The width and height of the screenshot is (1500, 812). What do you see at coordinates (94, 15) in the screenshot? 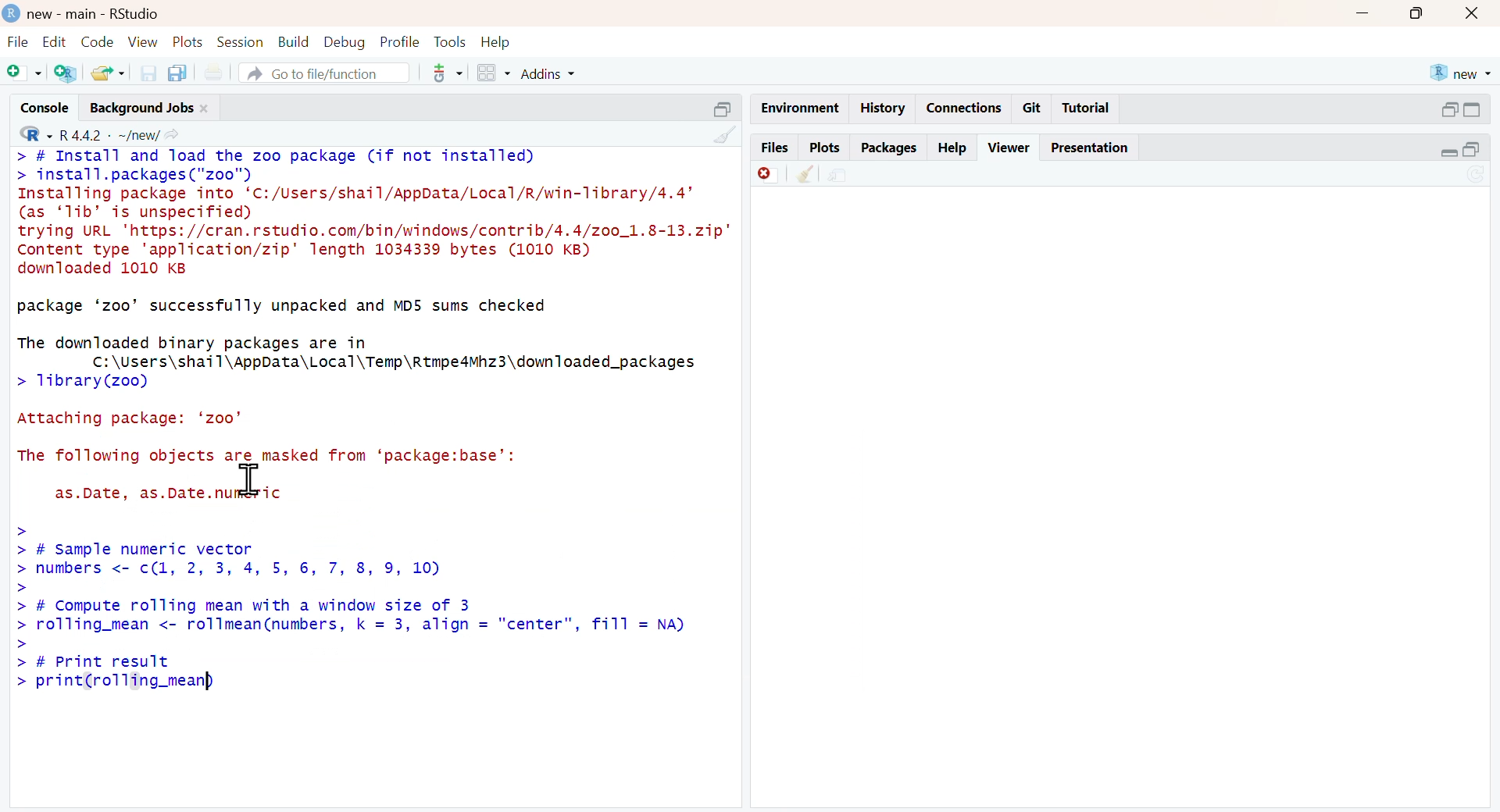
I see `new - main - RStudio` at bounding box center [94, 15].